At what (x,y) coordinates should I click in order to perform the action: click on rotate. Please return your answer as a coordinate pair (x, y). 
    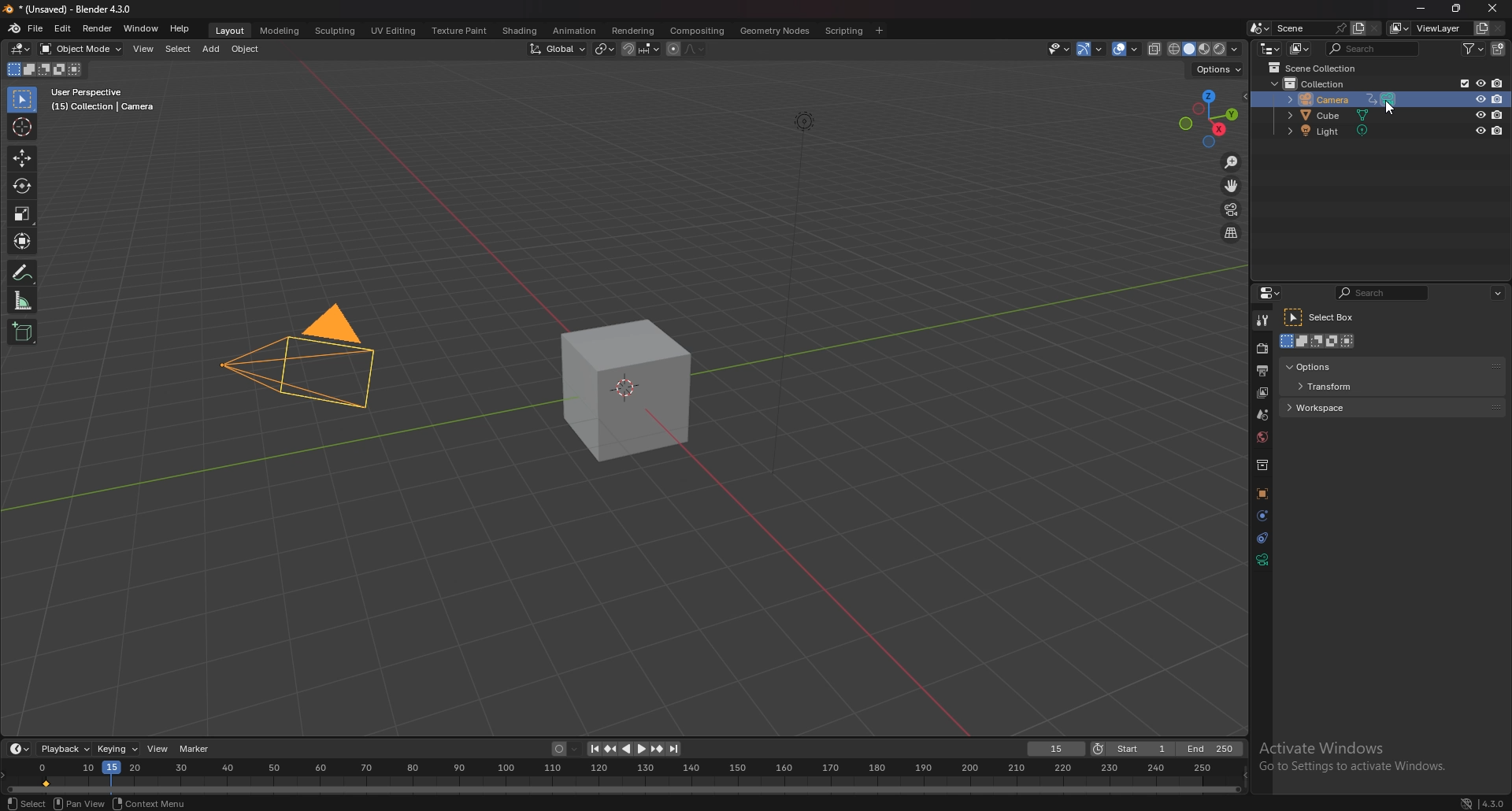
    Looking at the image, I should click on (21, 187).